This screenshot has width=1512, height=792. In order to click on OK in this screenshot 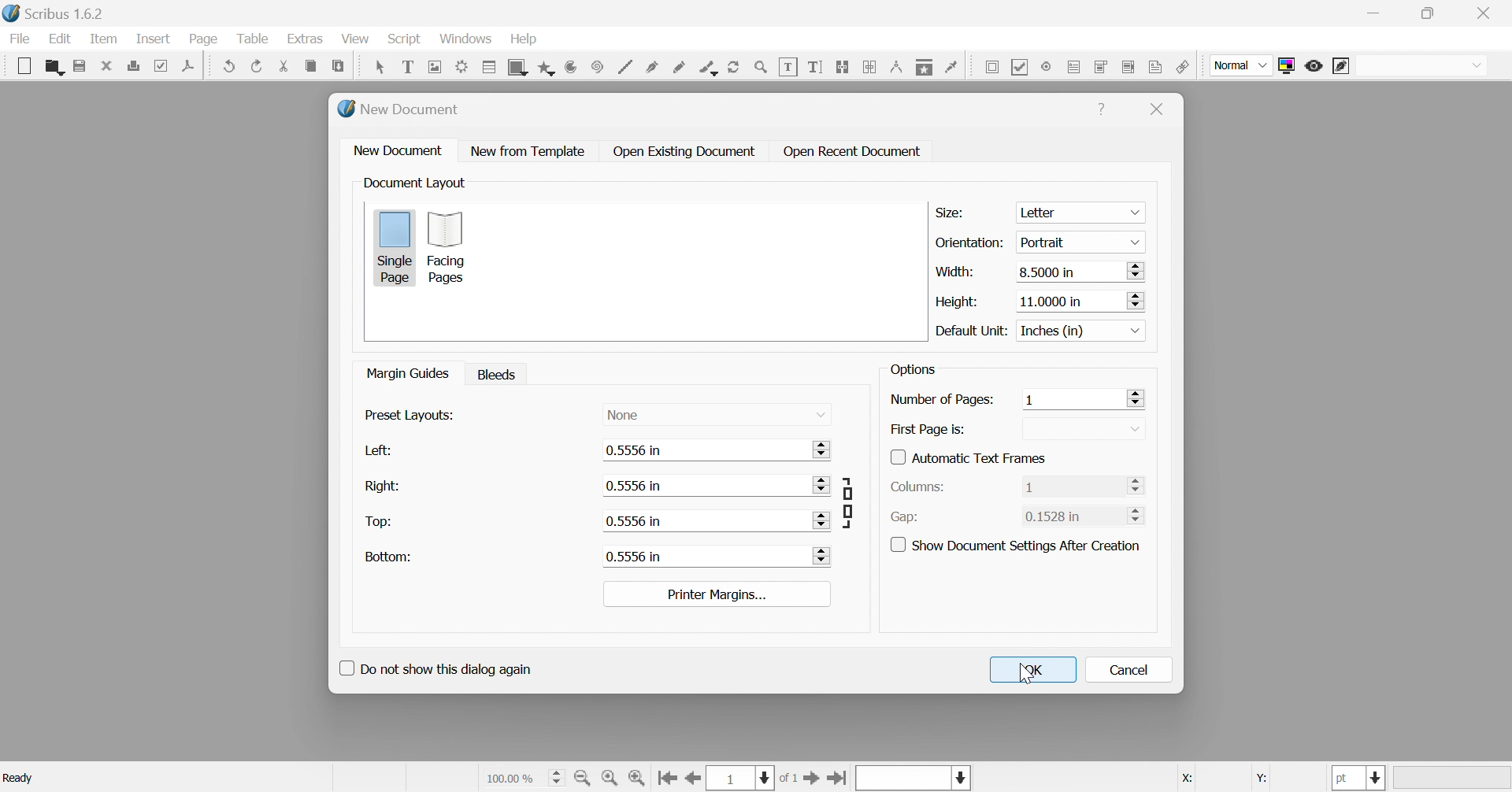, I will do `click(1032, 673)`.